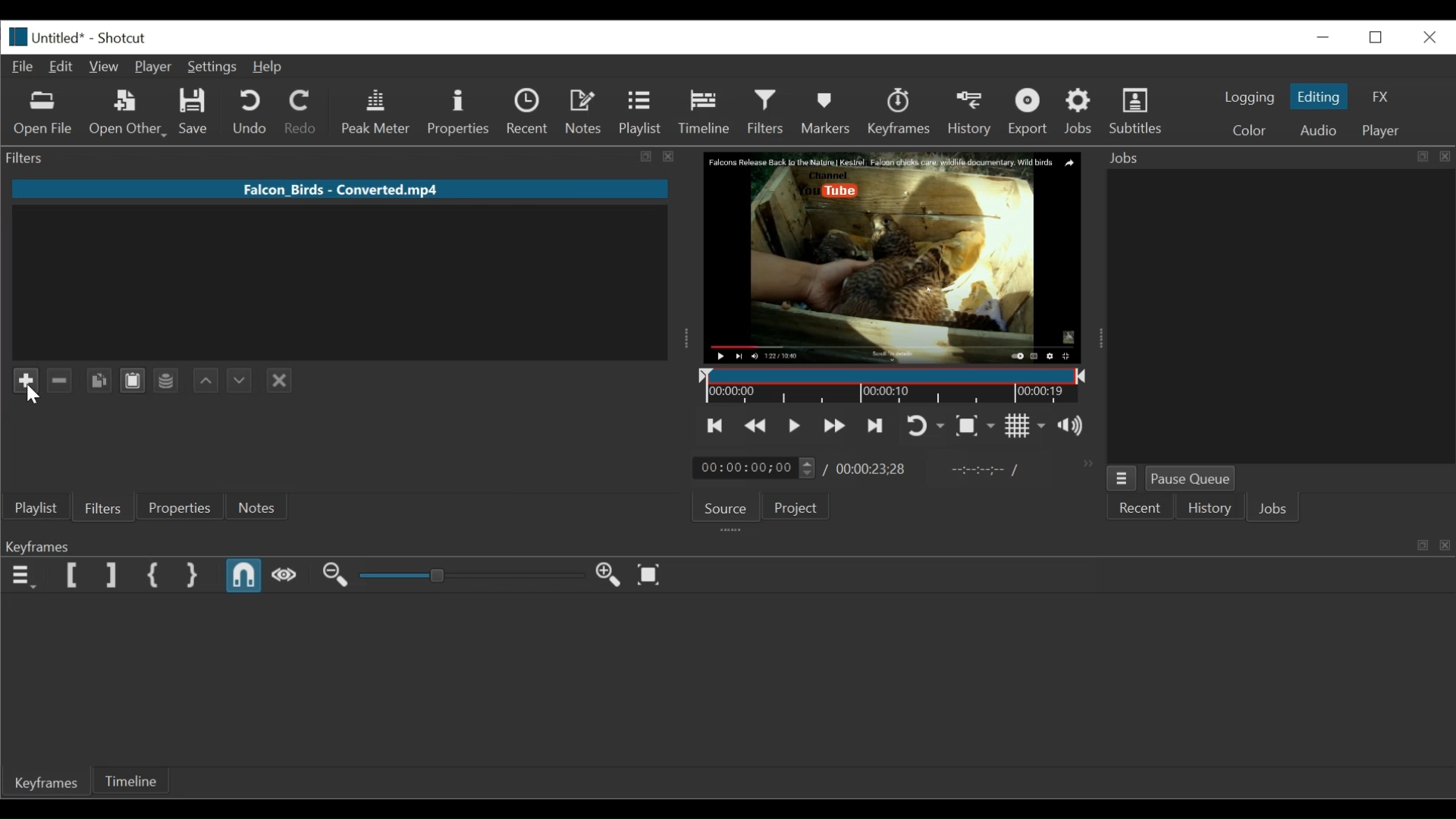  I want to click on Play forward quickly, so click(831, 426).